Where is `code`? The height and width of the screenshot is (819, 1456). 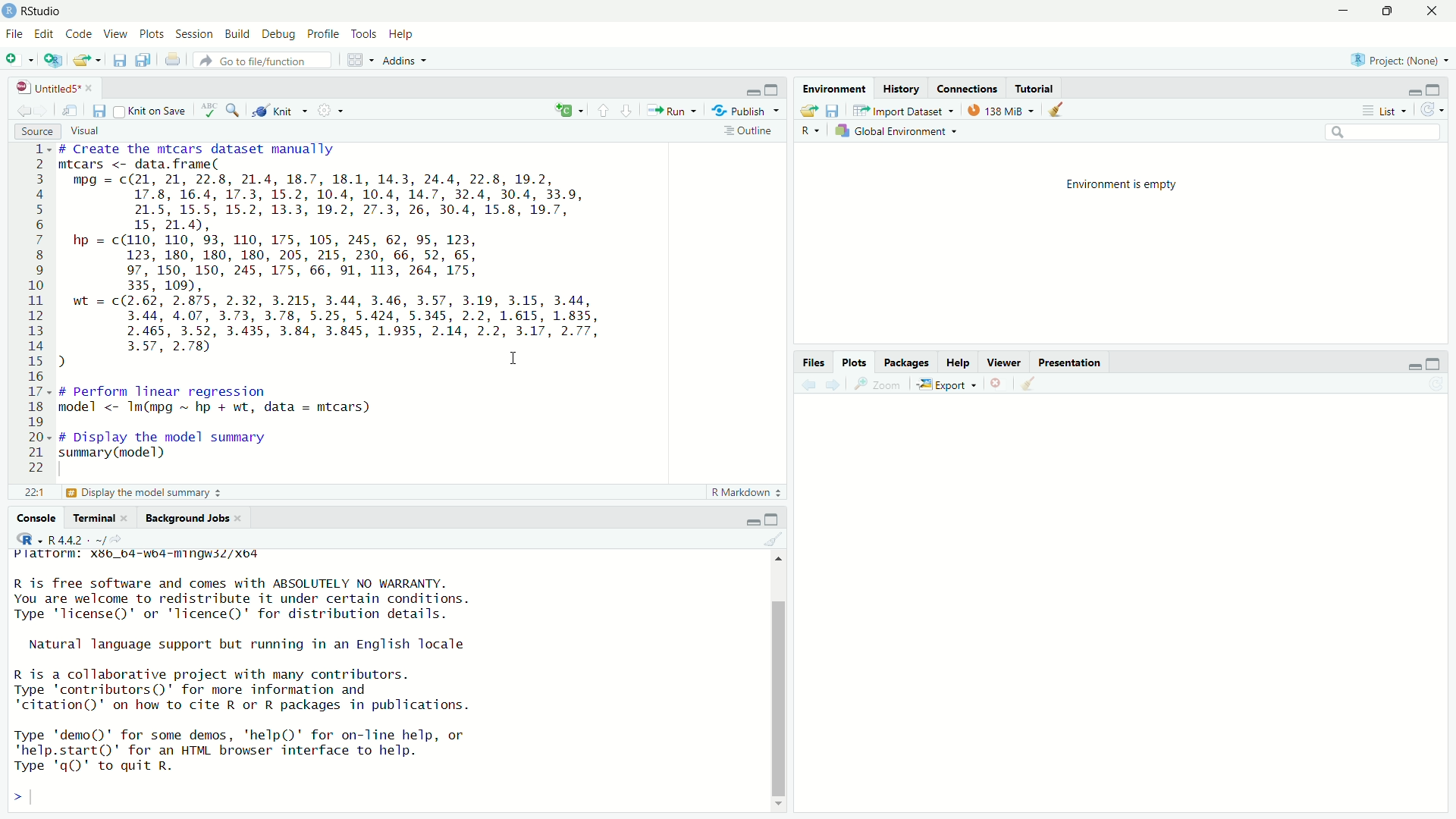 code is located at coordinates (80, 34).